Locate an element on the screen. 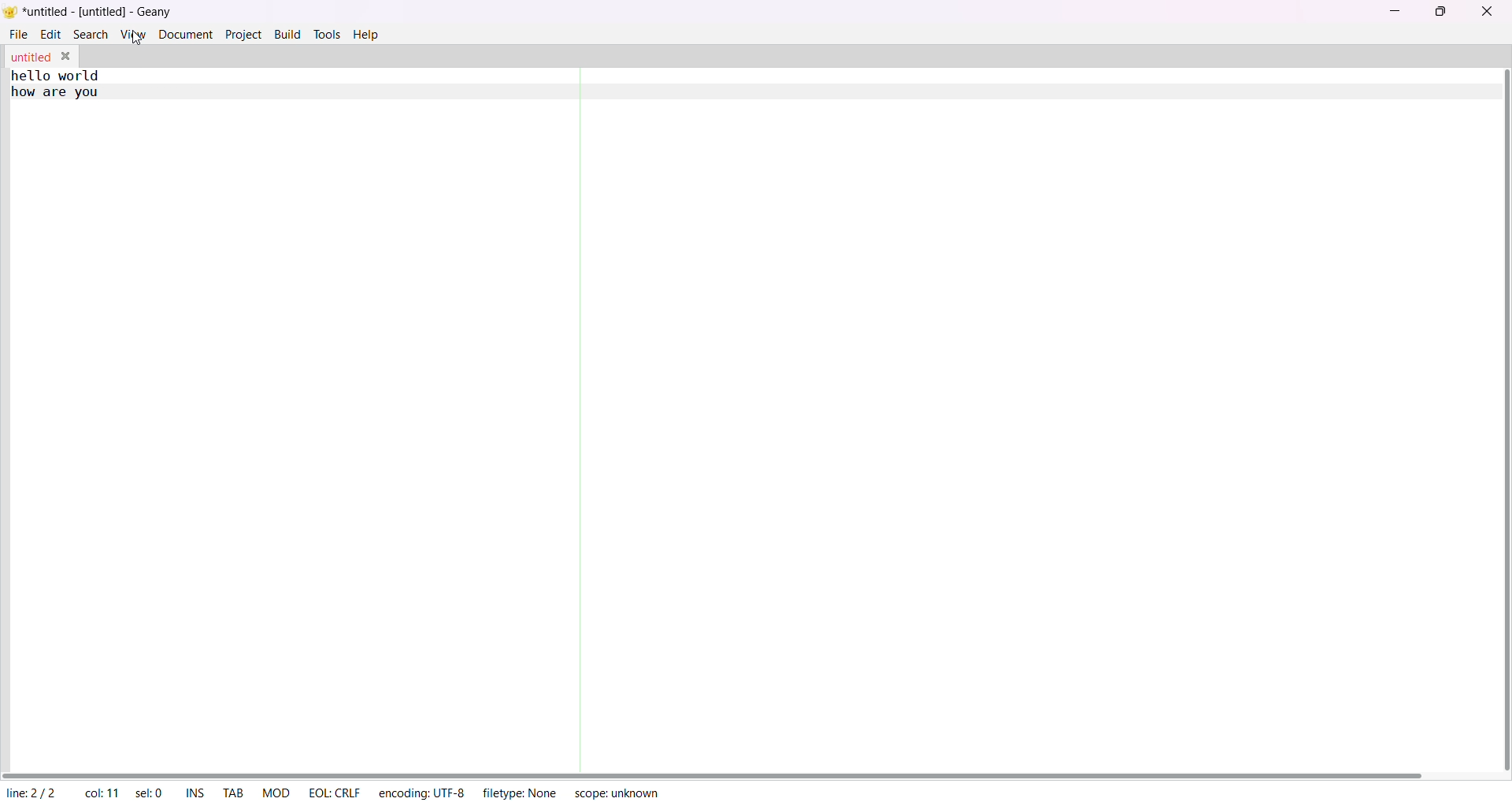 Image resolution: width=1512 pixels, height=802 pixels. EOL CRLF is located at coordinates (333, 793).